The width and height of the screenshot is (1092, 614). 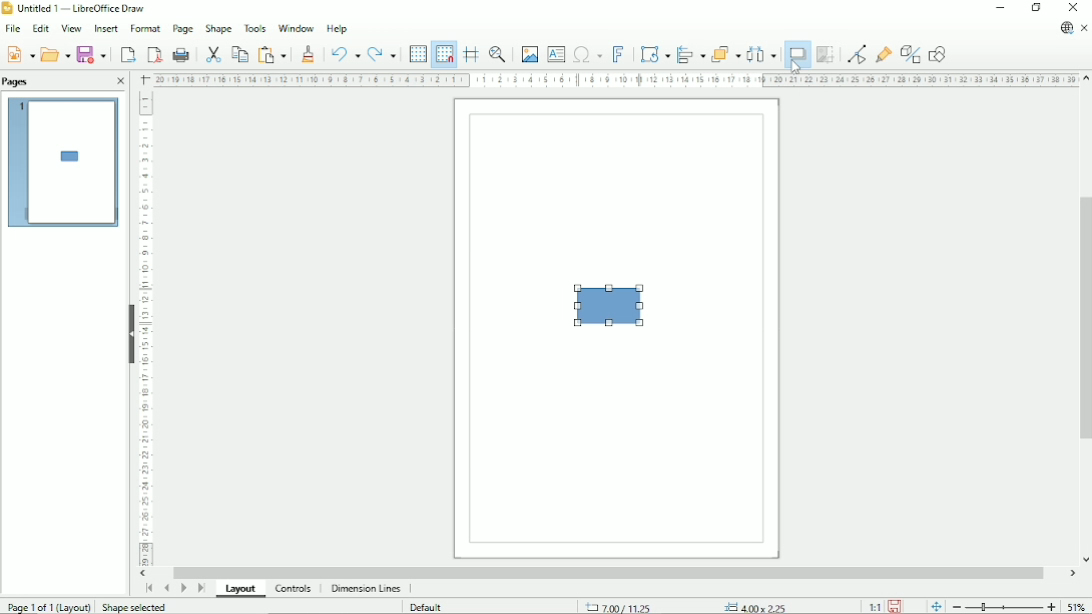 What do you see at coordinates (272, 54) in the screenshot?
I see `Paste` at bounding box center [272, 54].